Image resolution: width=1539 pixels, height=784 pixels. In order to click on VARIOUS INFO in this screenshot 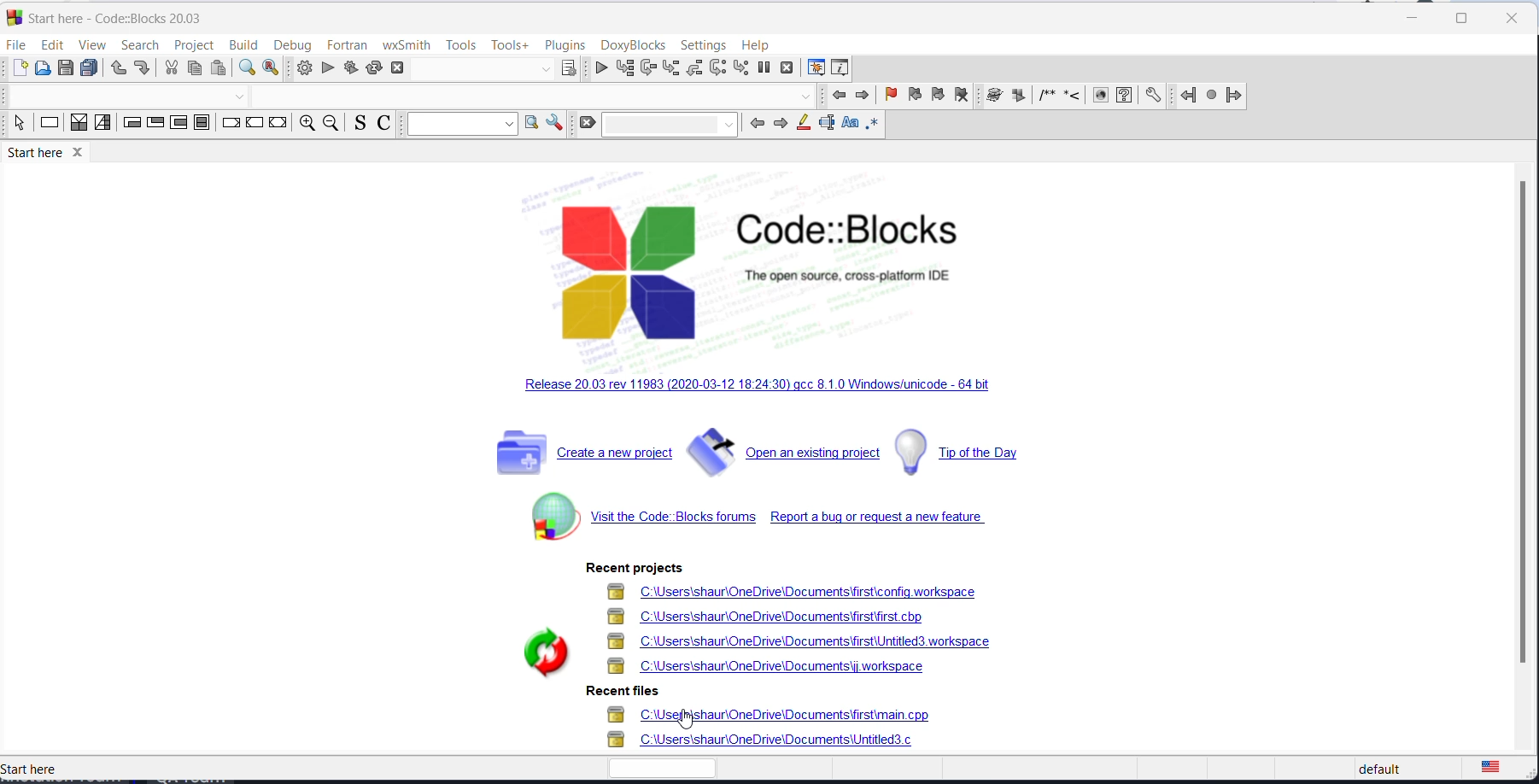, I will do `click(840, 69)`.